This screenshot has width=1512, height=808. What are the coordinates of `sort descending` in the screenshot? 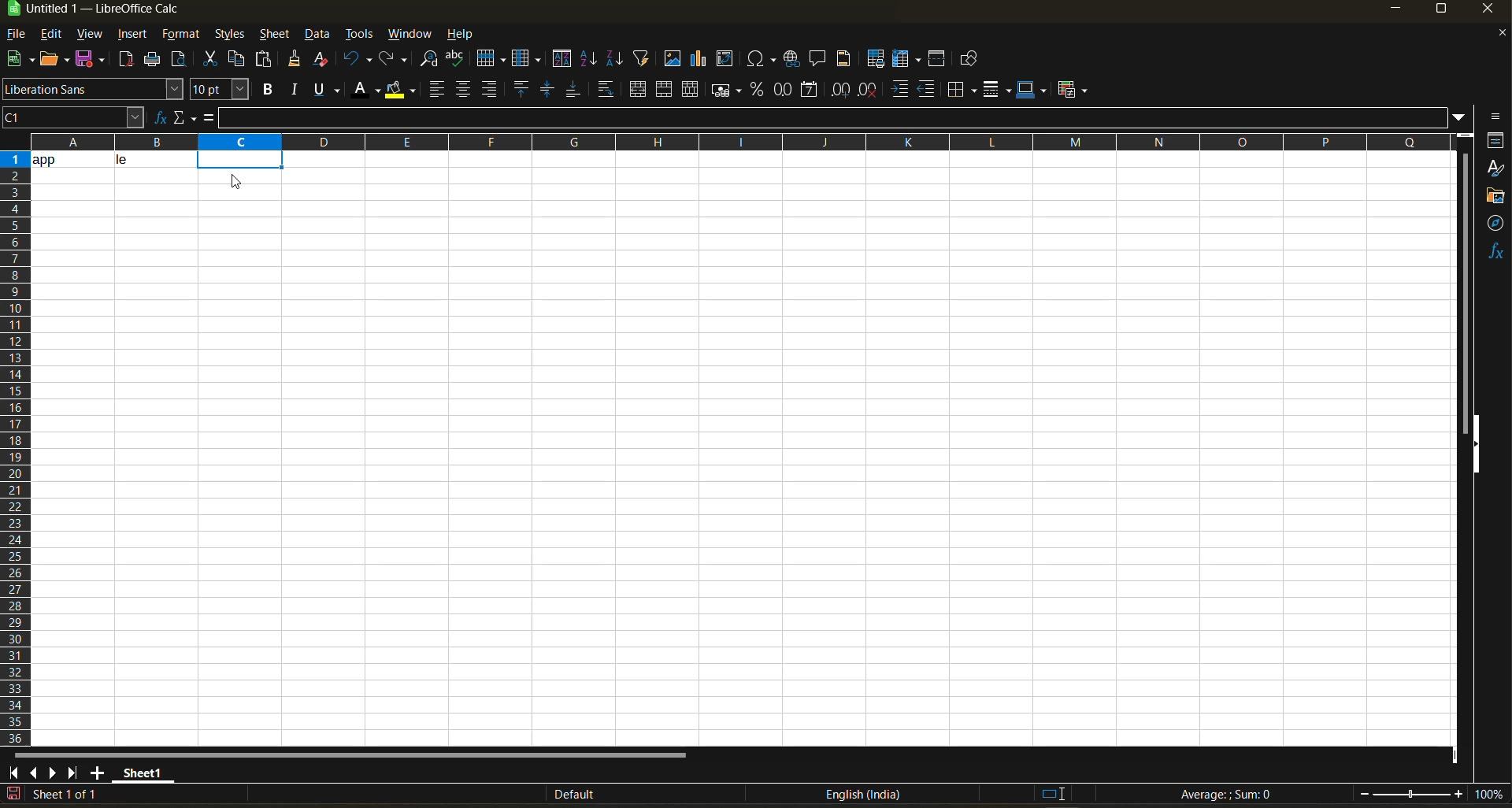 It's located at (613, 58).